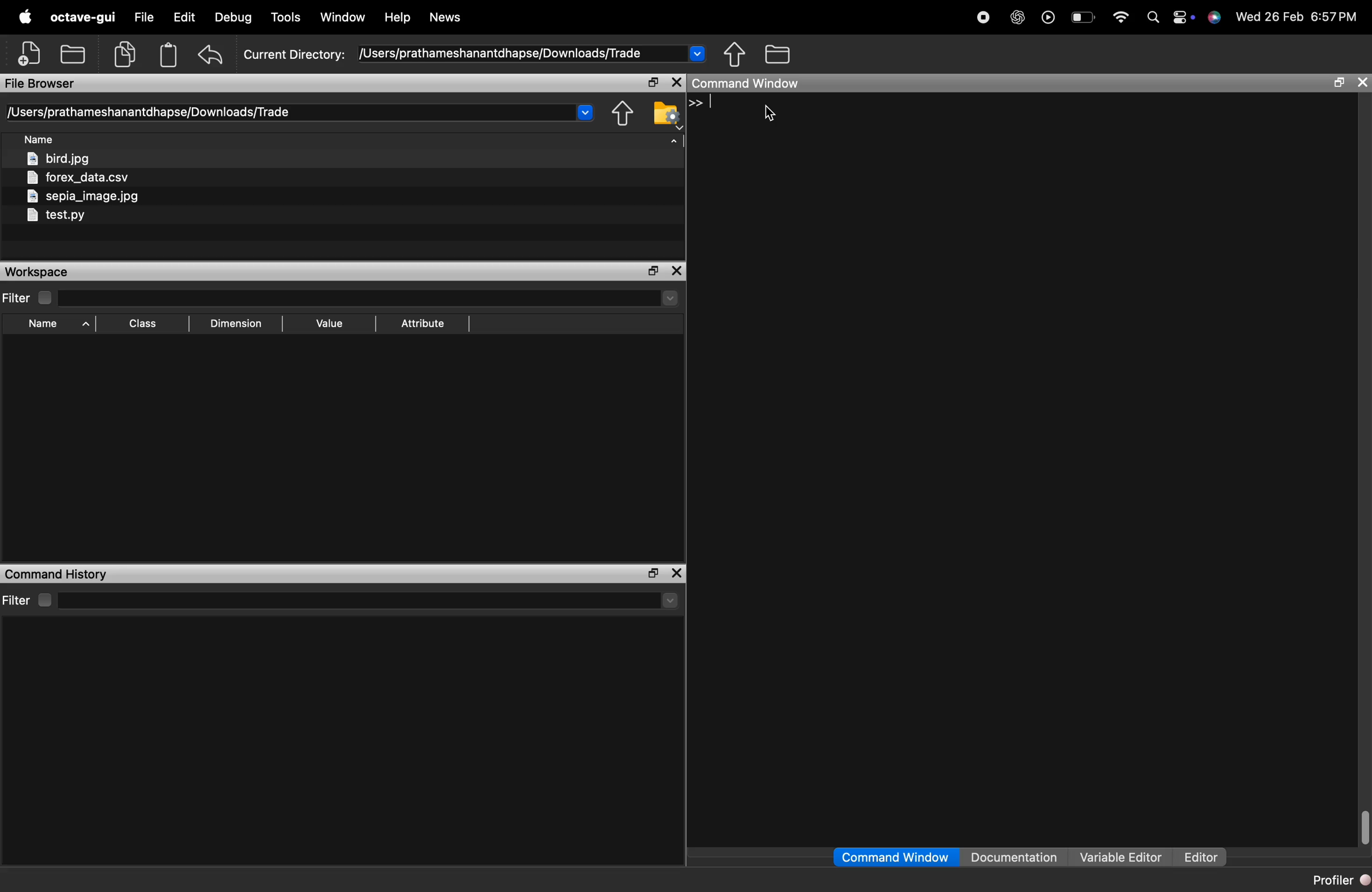 The image size is (1372, 892). What do you see at coordinates (734, 54) in the screenshot?
I see `one directory up` at bounding box center [734, 54].